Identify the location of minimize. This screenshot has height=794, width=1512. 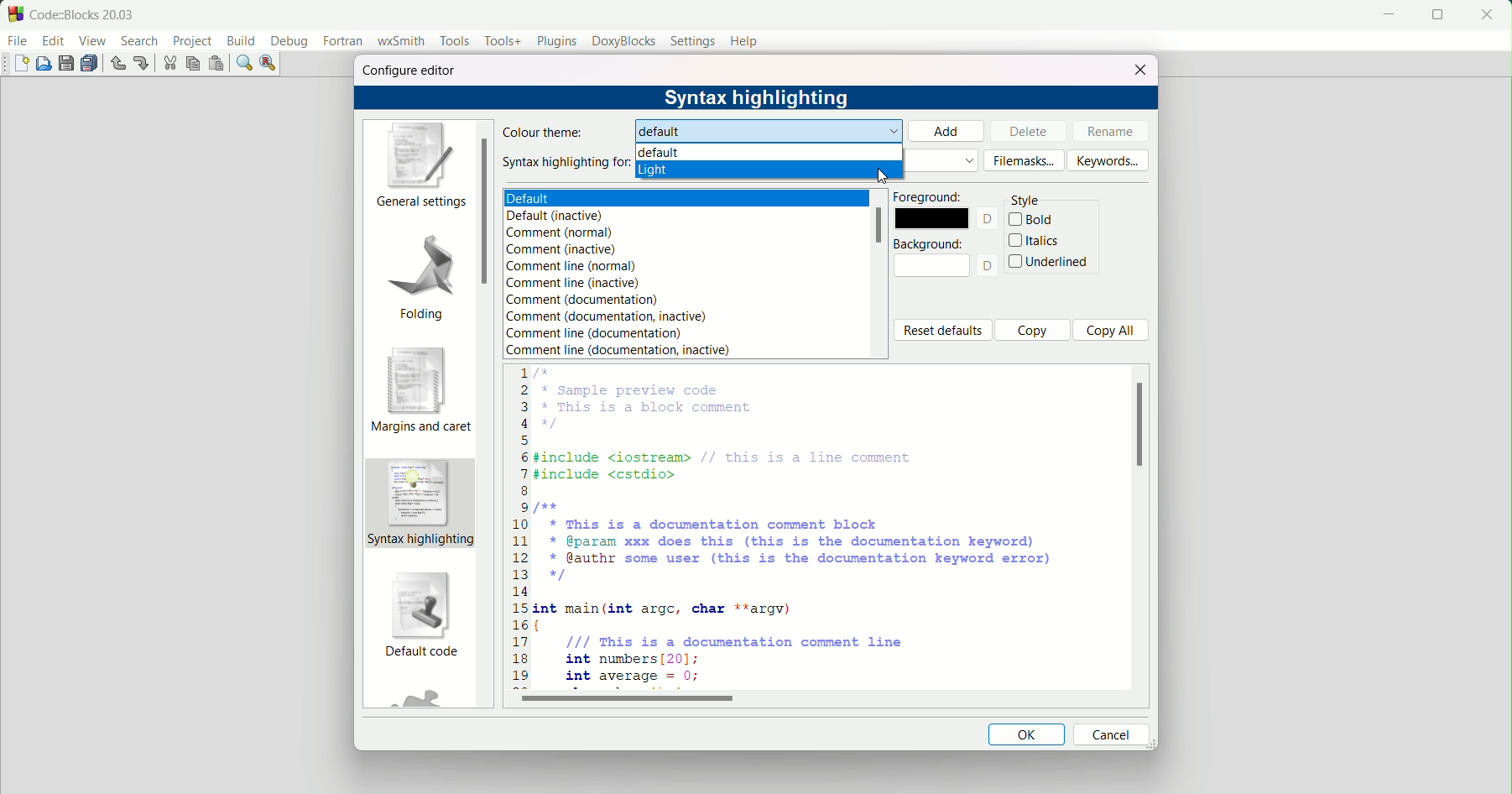
(1385, 15).